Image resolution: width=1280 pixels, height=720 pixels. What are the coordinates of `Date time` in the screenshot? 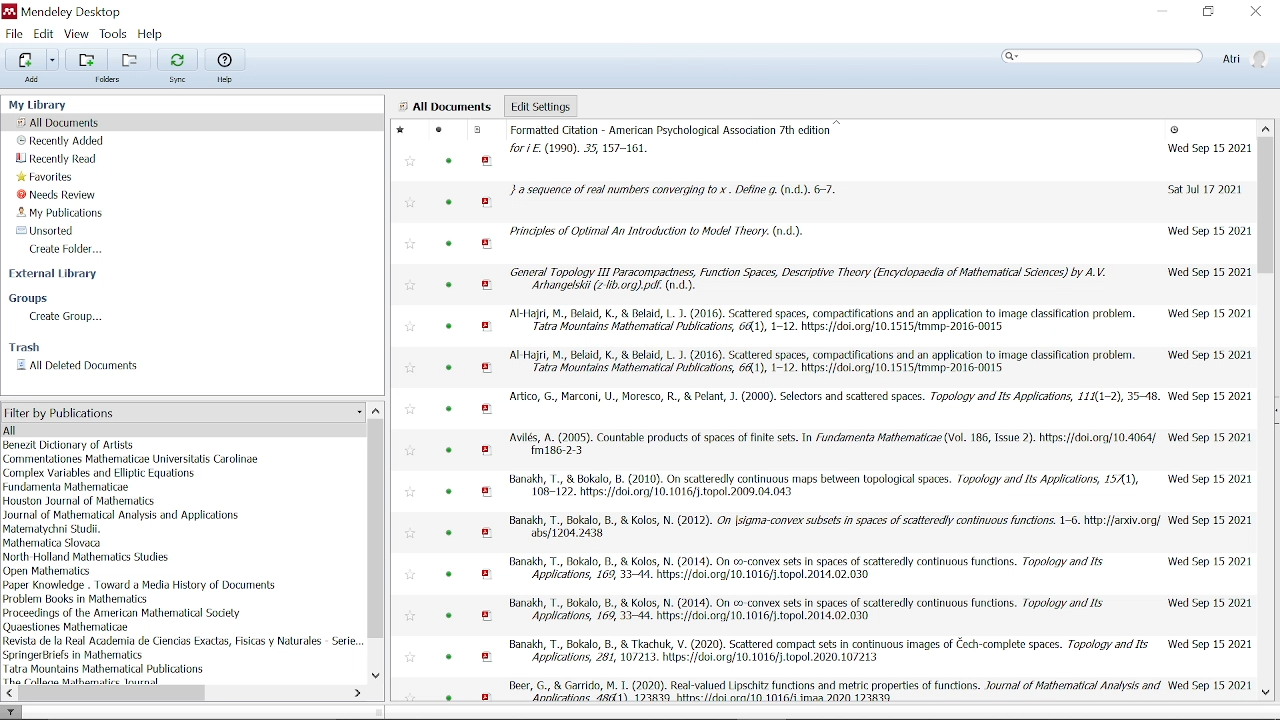 It's located at (1206, 148).